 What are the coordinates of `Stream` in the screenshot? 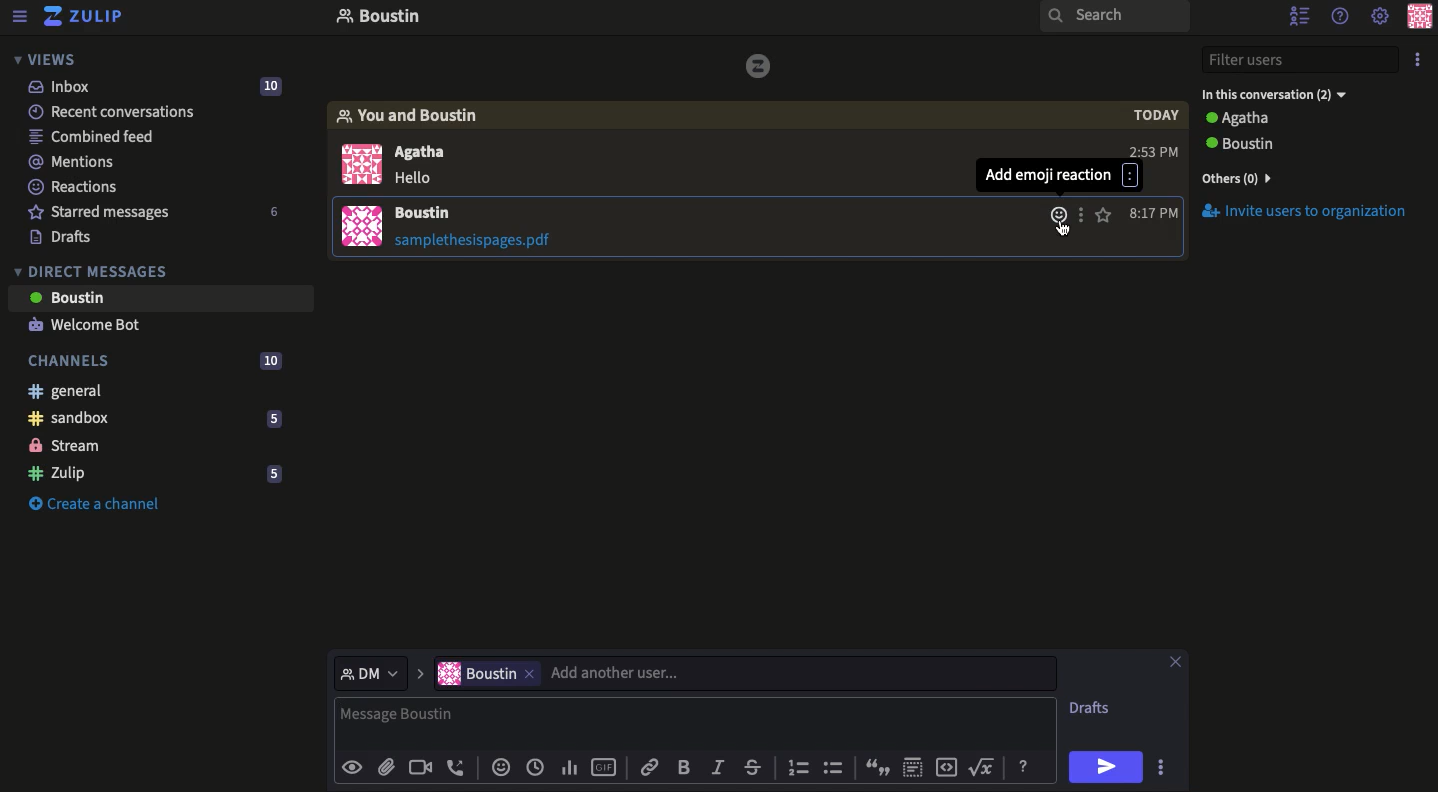 It's located at (66, 445).